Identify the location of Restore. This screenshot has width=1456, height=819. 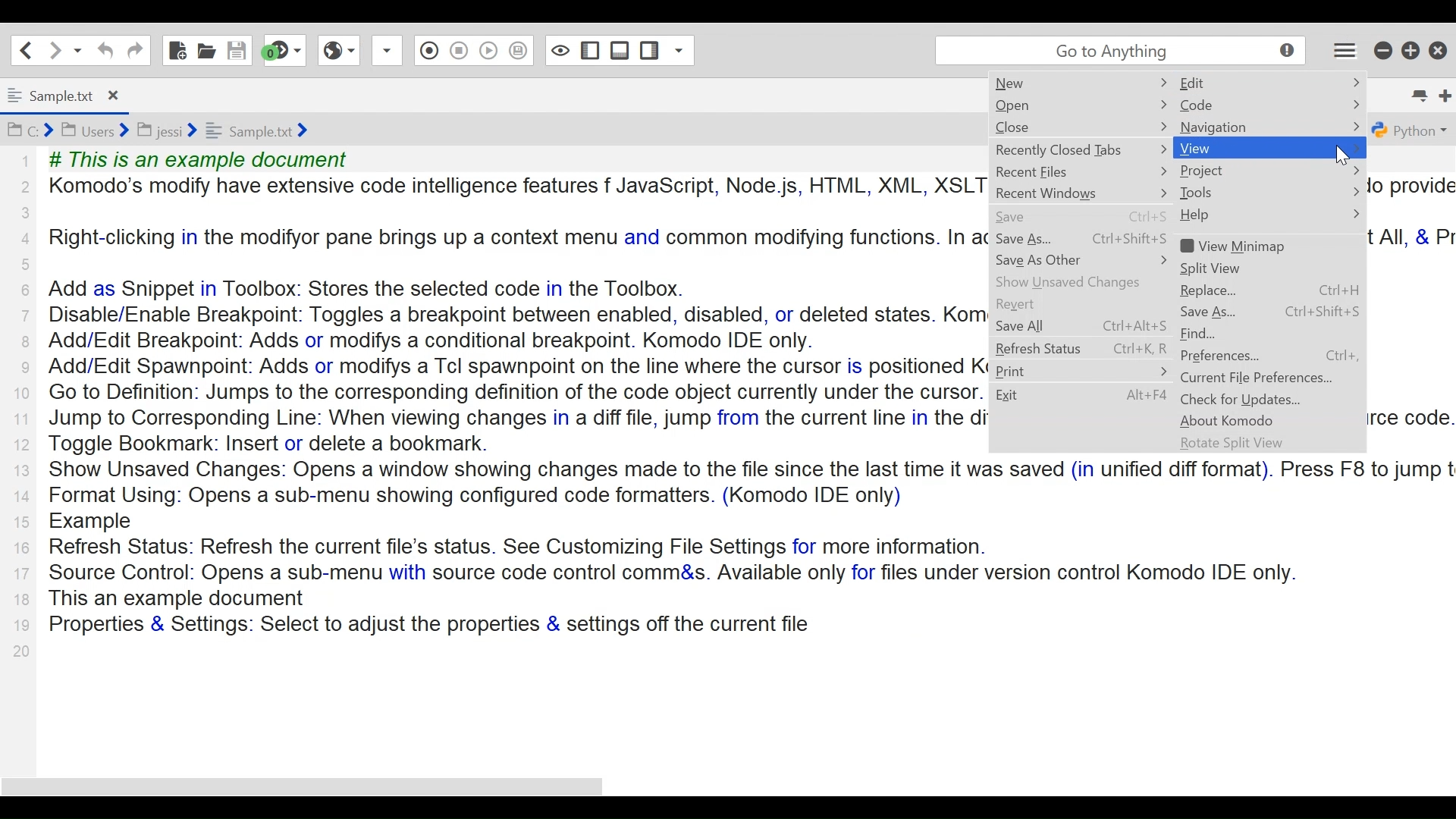
(1410, 50).